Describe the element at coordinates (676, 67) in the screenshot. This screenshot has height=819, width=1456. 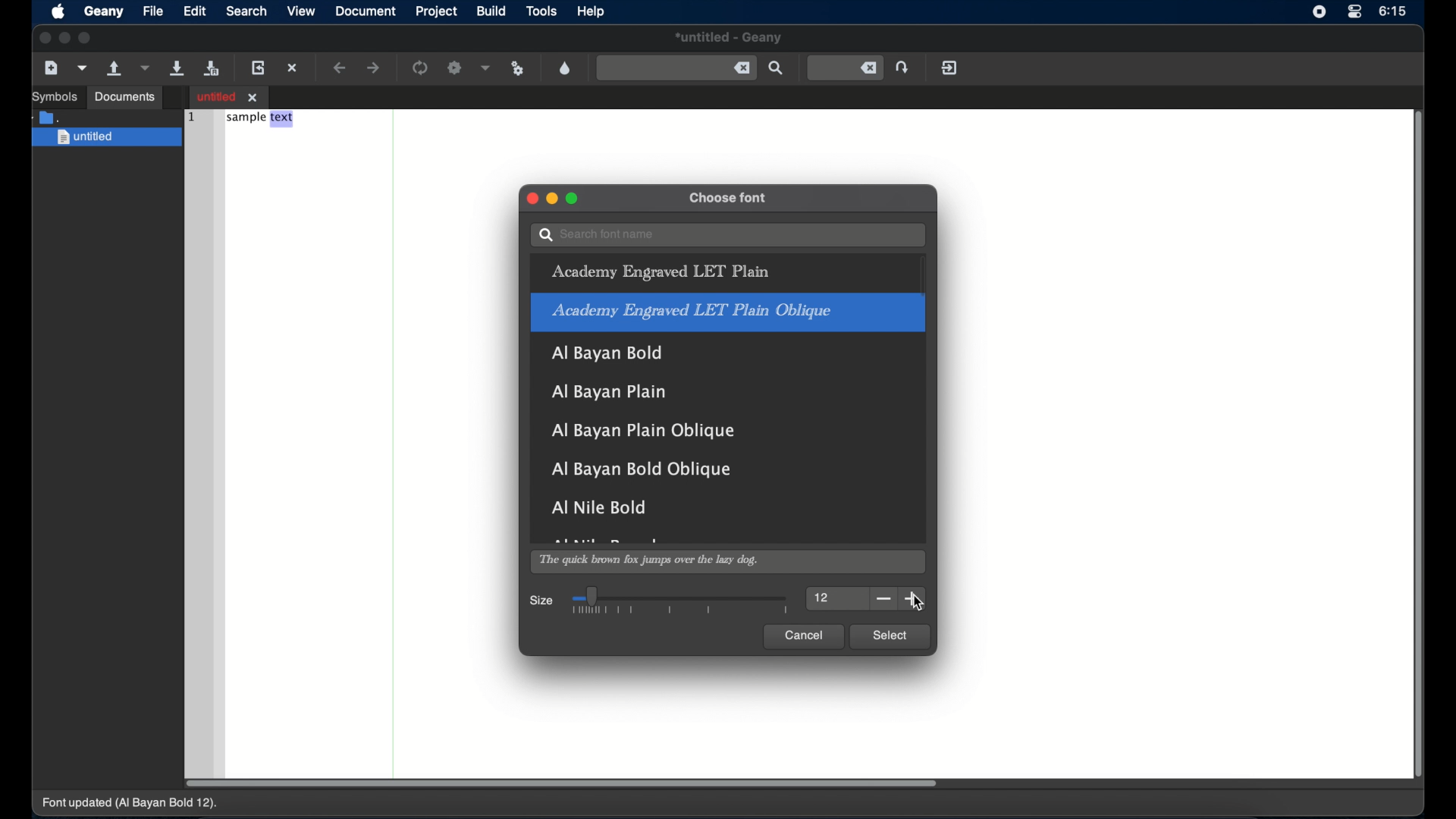
I see `find the entered text in the current file` at that location.